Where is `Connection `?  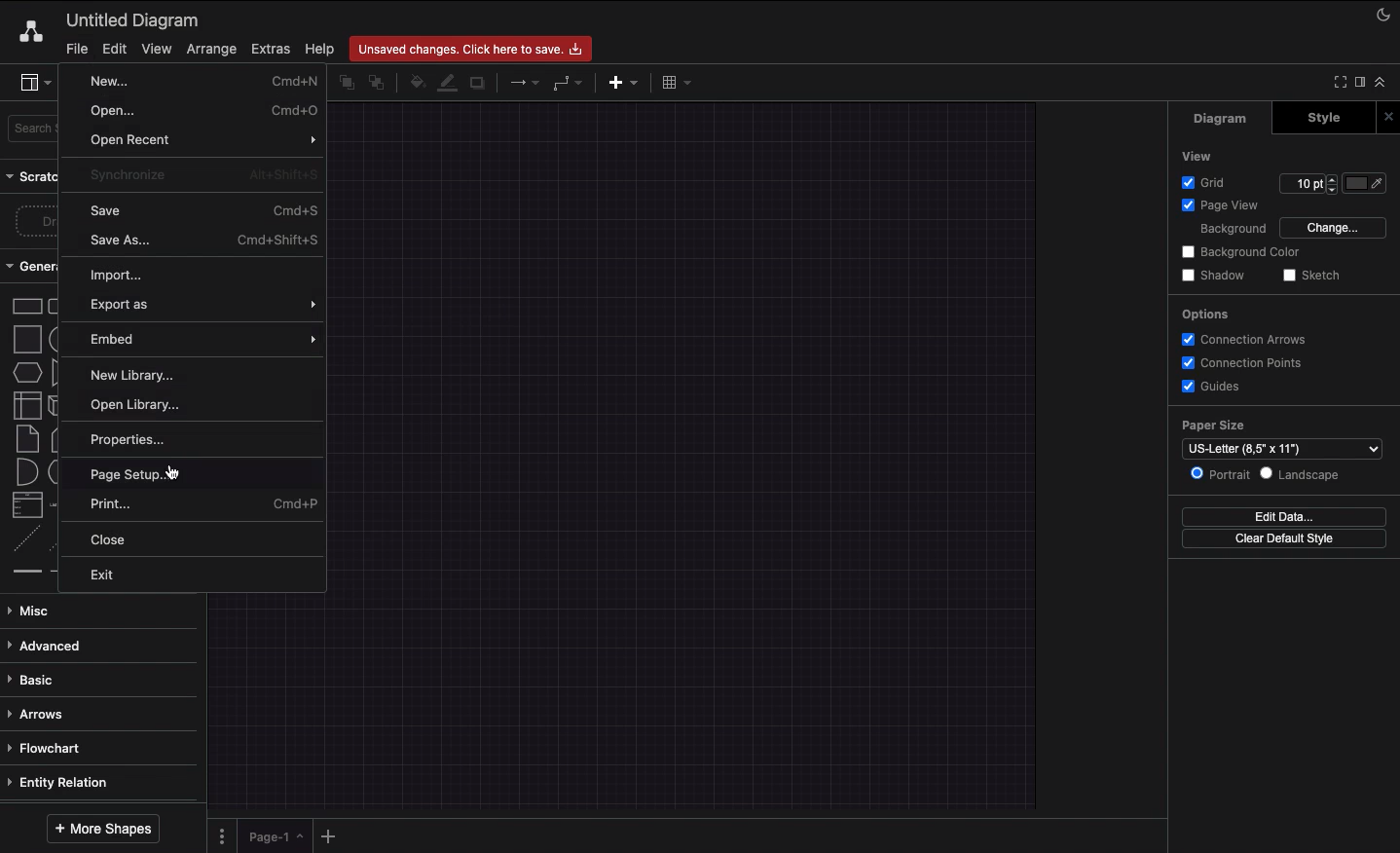 Connection  is located at coordinates (525, 83).